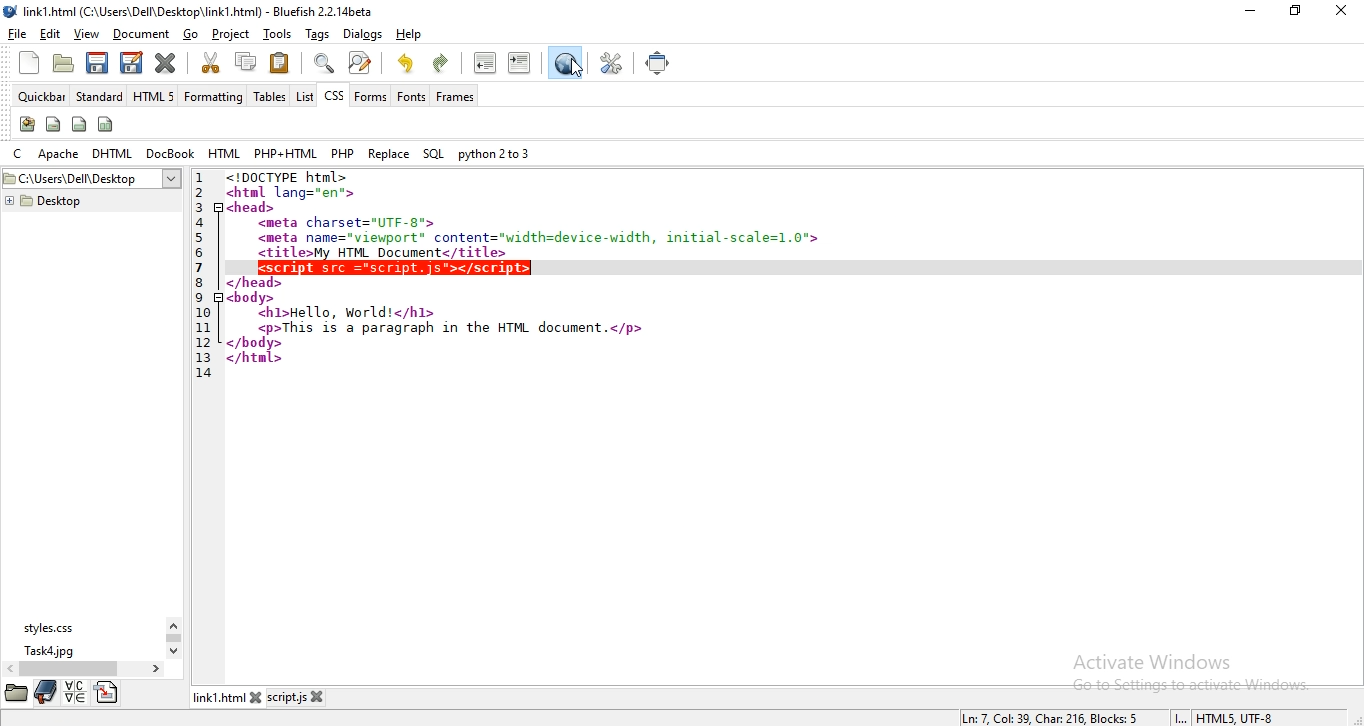  I want to click on code fold, so click(220, 298).